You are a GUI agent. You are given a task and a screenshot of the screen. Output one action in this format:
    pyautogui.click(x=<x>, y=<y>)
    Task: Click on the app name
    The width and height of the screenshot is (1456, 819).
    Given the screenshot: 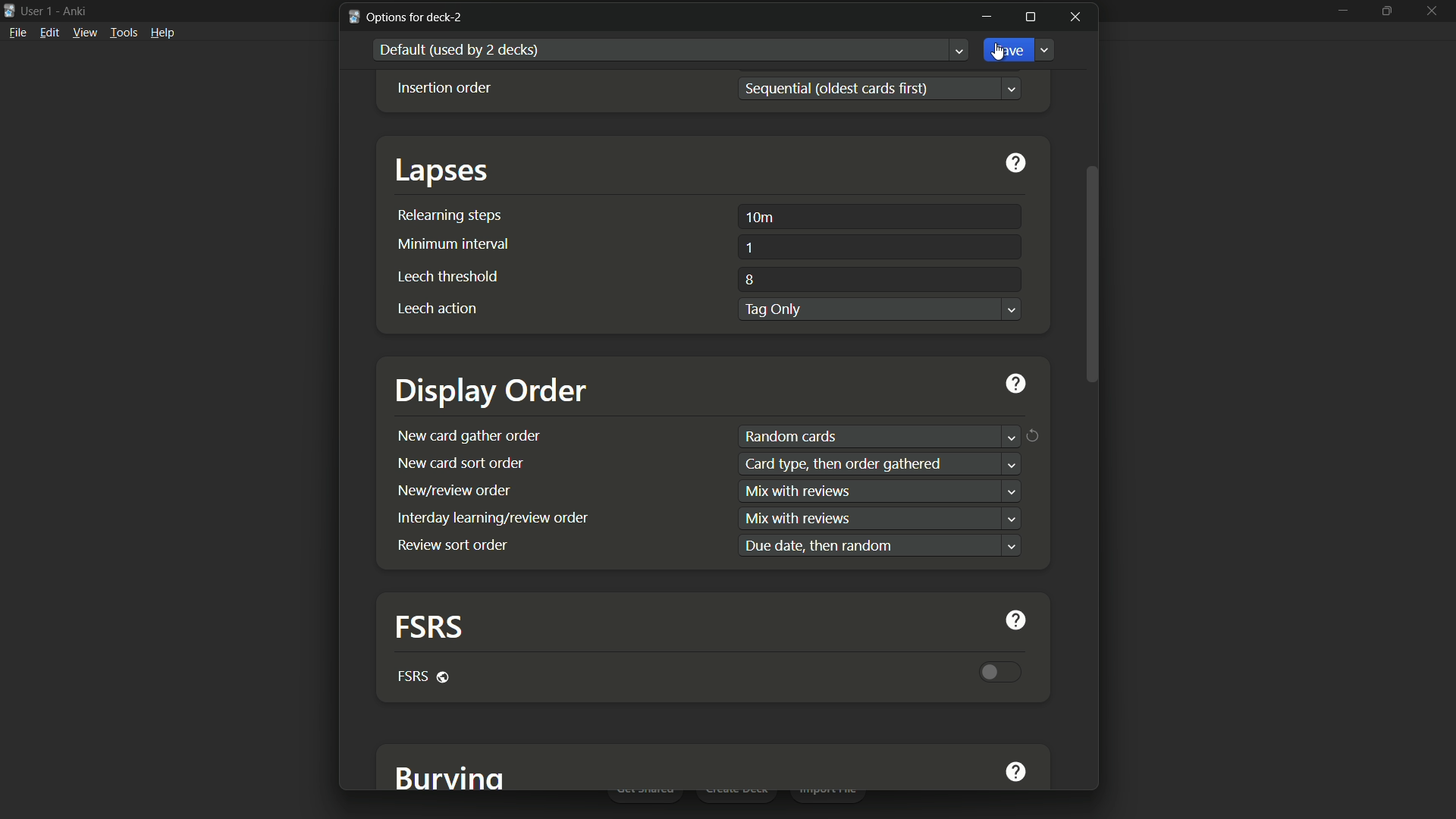 What is the action you would take?
    pyautogui.click(x=74, y=11)
    